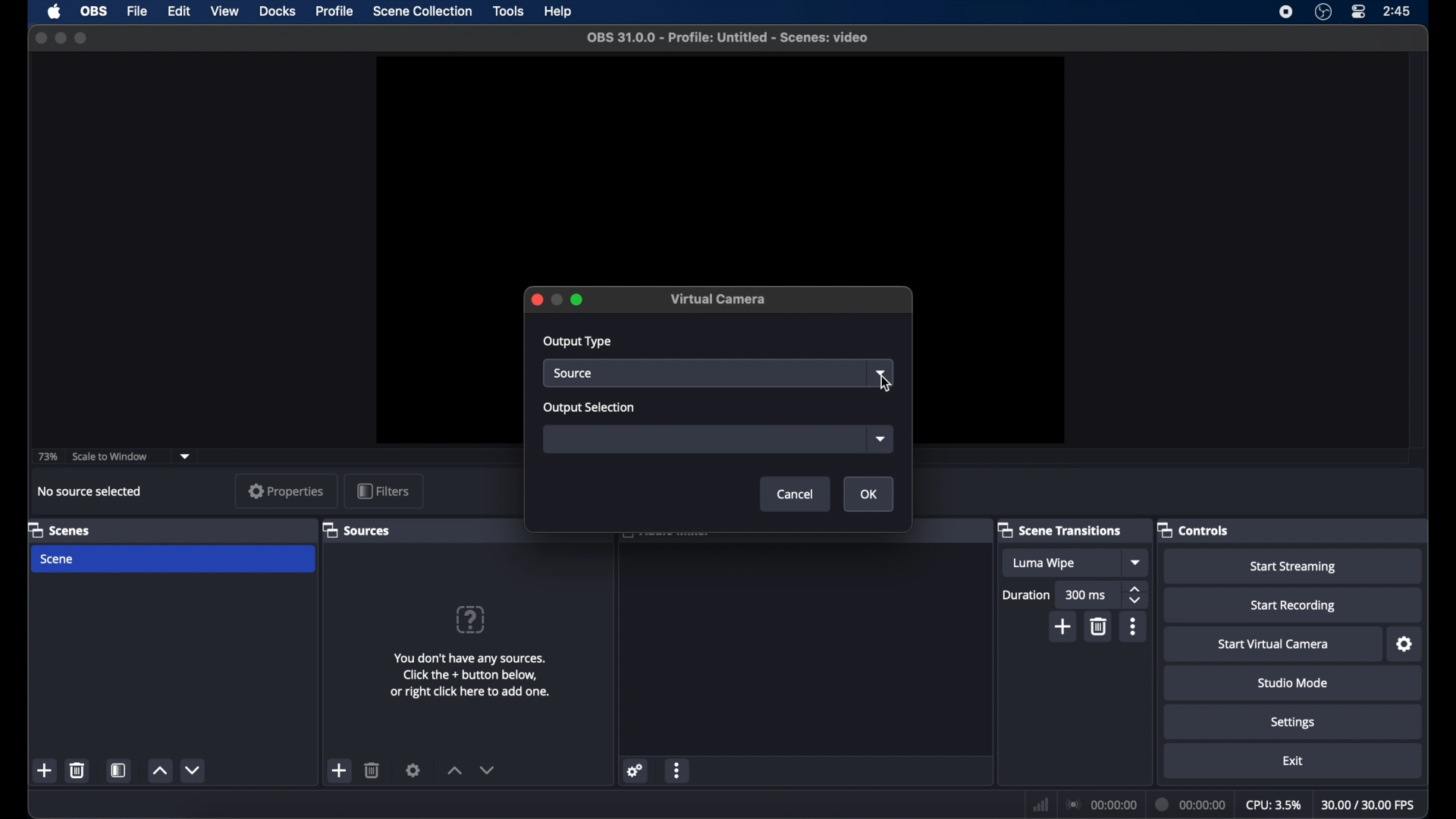 Image resolution: width=1456 pixels, height=819 pixels. What do you see at coordinates (578, 342) in the screenshot?
I see `output type` at bounding box center [578, 342].